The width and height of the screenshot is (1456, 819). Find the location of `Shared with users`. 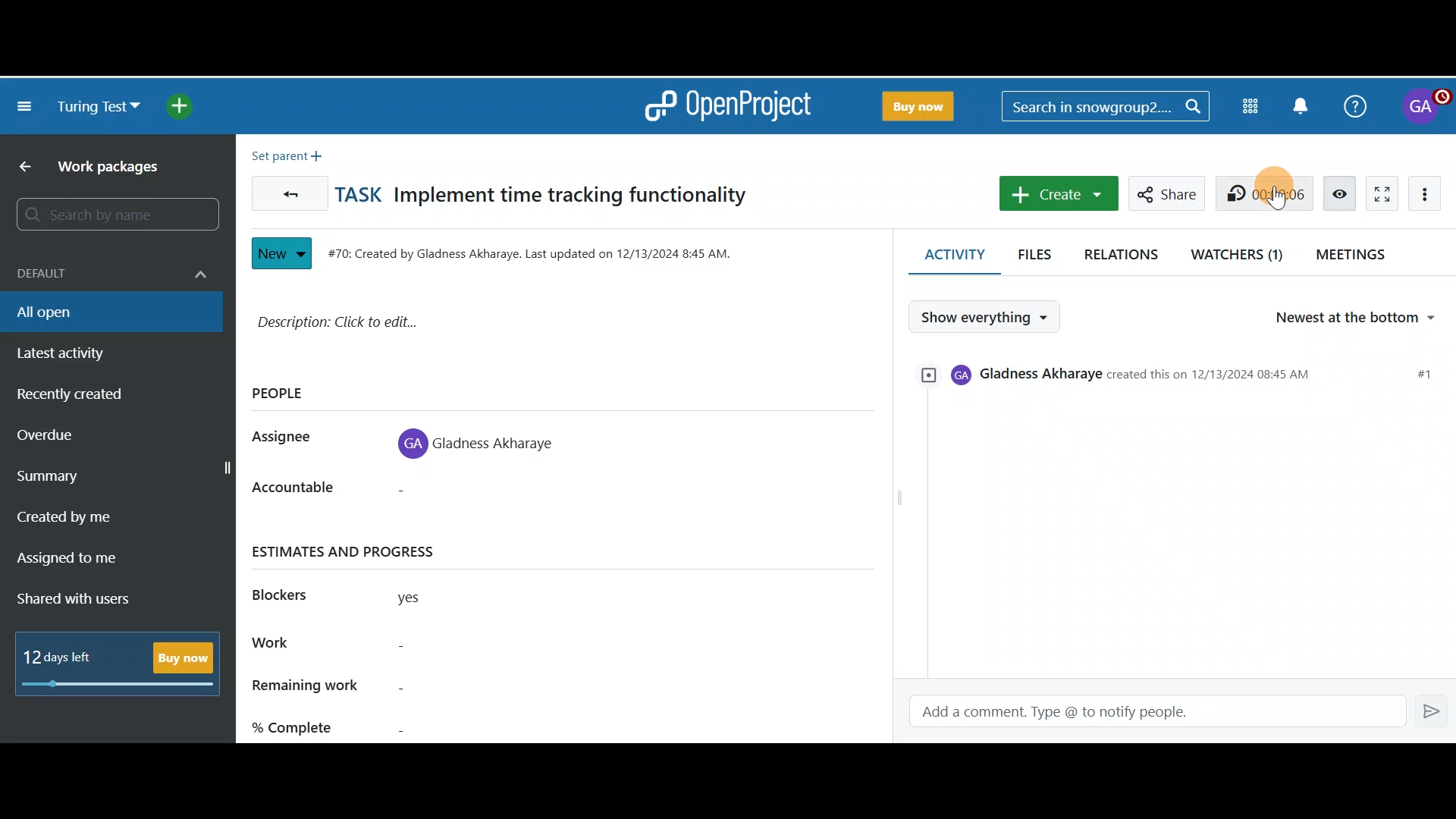

Shared with users is located at coordinates (86, 600).